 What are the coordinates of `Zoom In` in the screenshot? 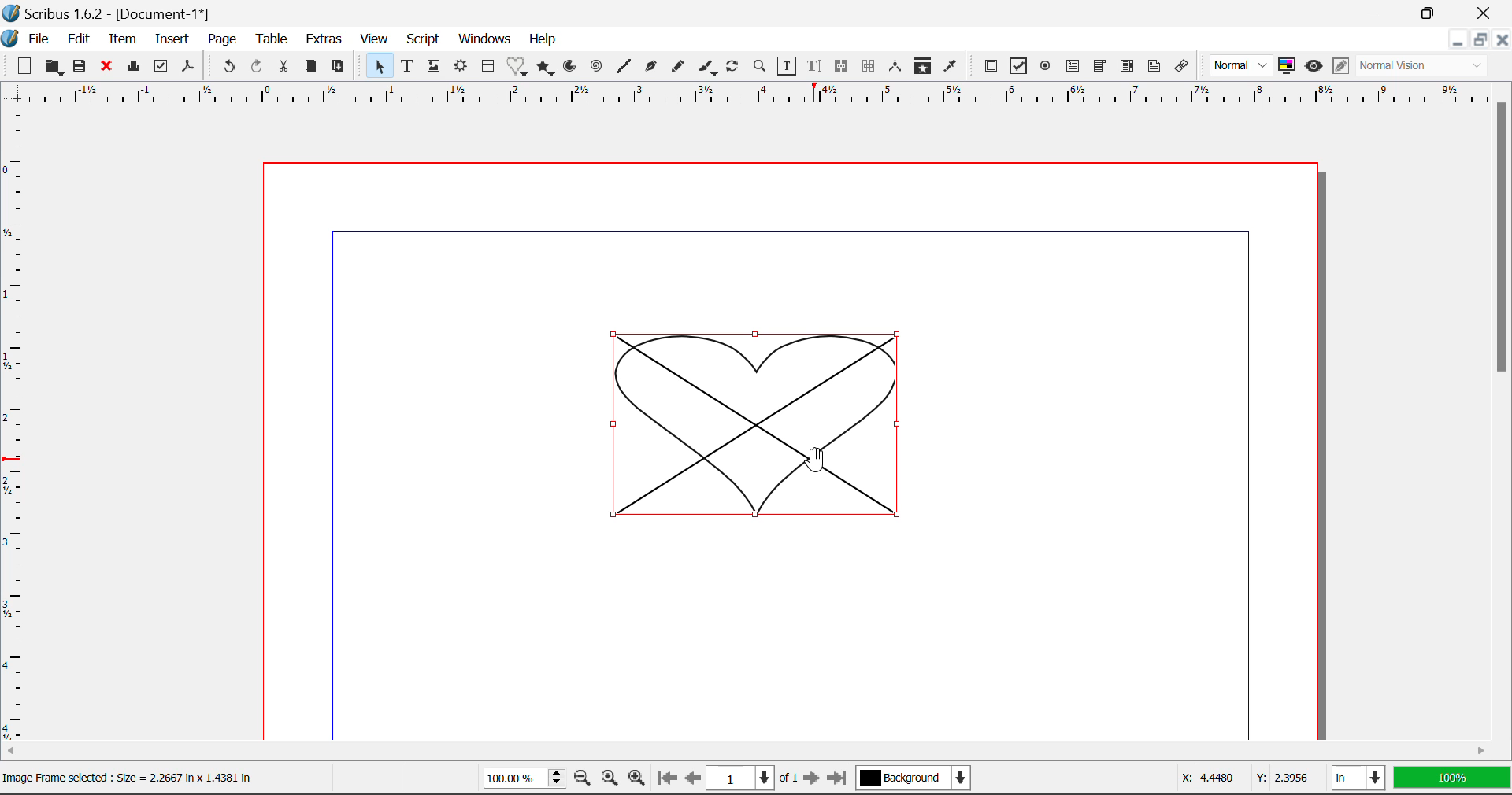 It's located at (637, 779).